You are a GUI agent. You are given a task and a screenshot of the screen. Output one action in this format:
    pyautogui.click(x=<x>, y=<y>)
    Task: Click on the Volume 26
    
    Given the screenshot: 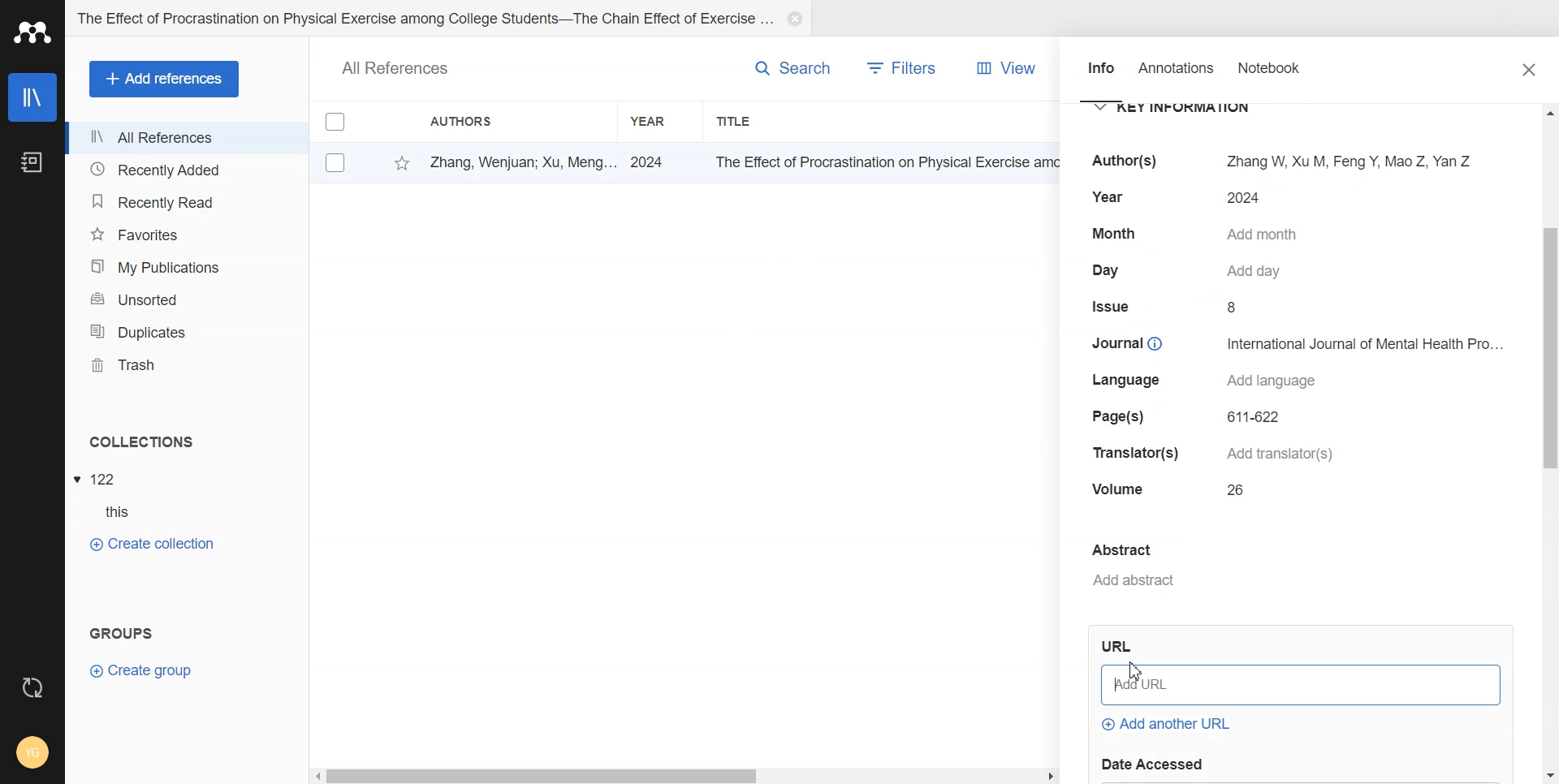 What is the action you would take?
    pyautogui.click(x=1174, y=490)
    